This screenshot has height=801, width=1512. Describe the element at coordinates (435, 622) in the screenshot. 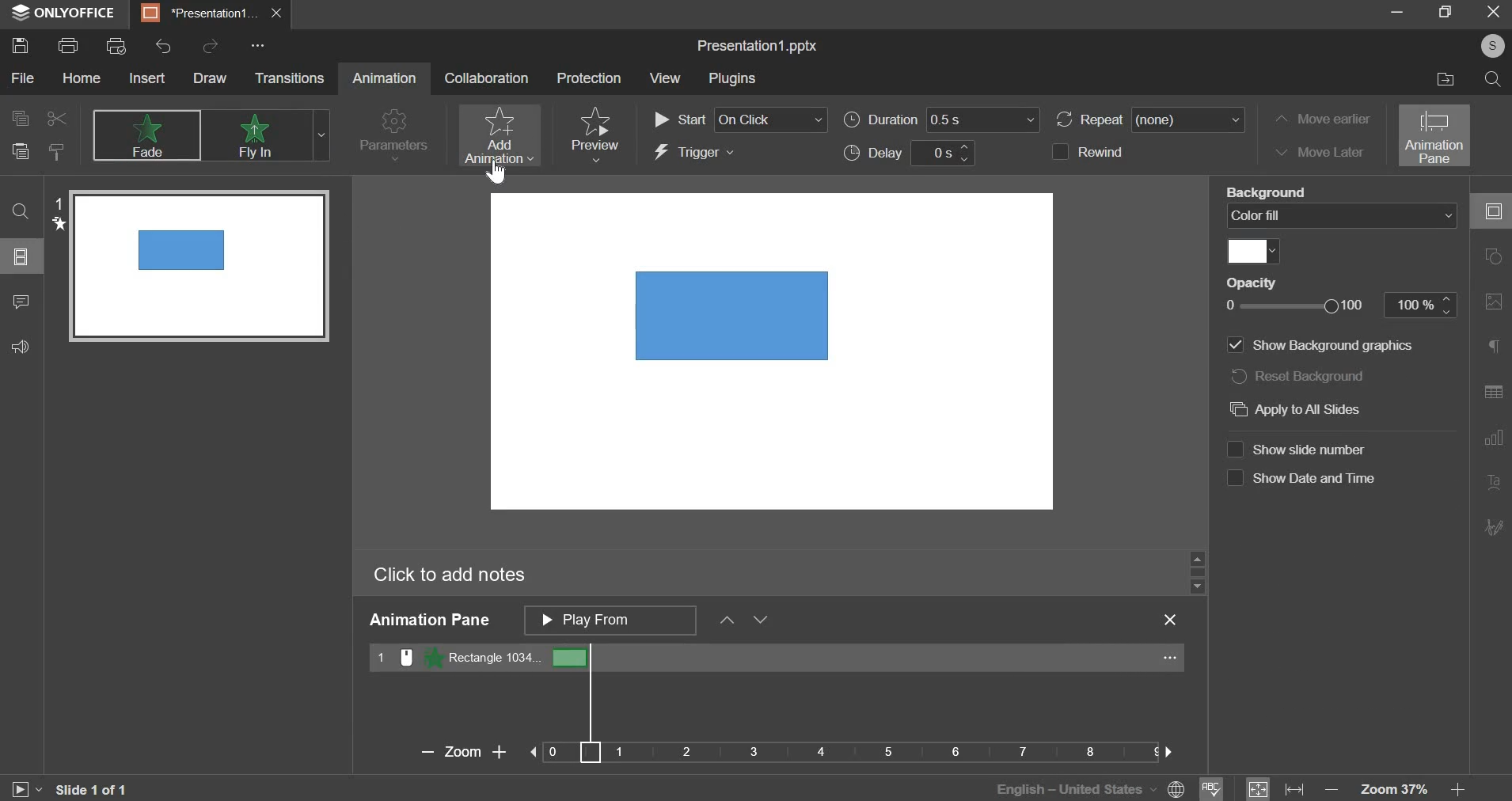

I see `Animation Pane` at that location.